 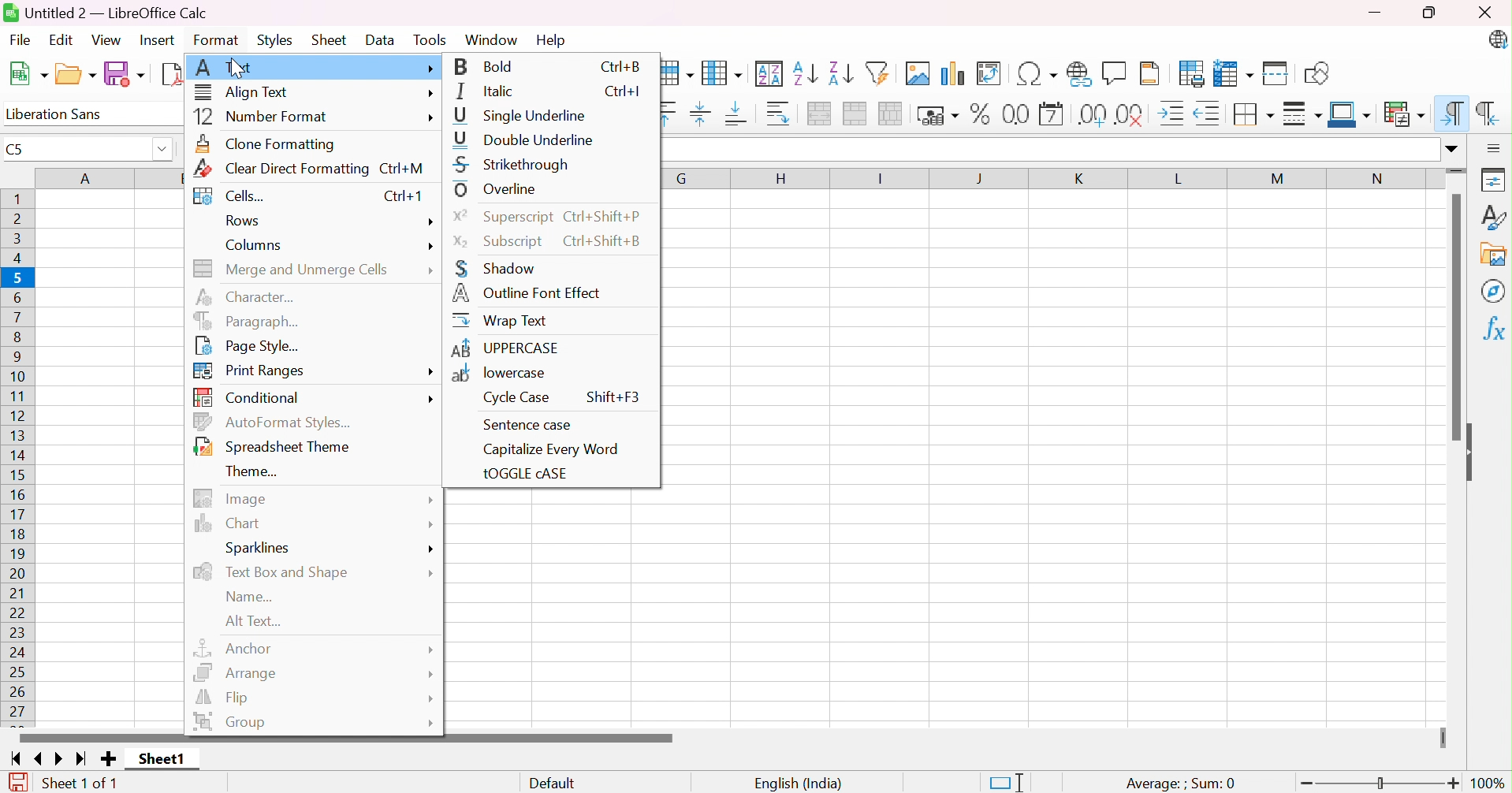 I want to click on Ctrl+Shift+B, so click(x=610, y=241).